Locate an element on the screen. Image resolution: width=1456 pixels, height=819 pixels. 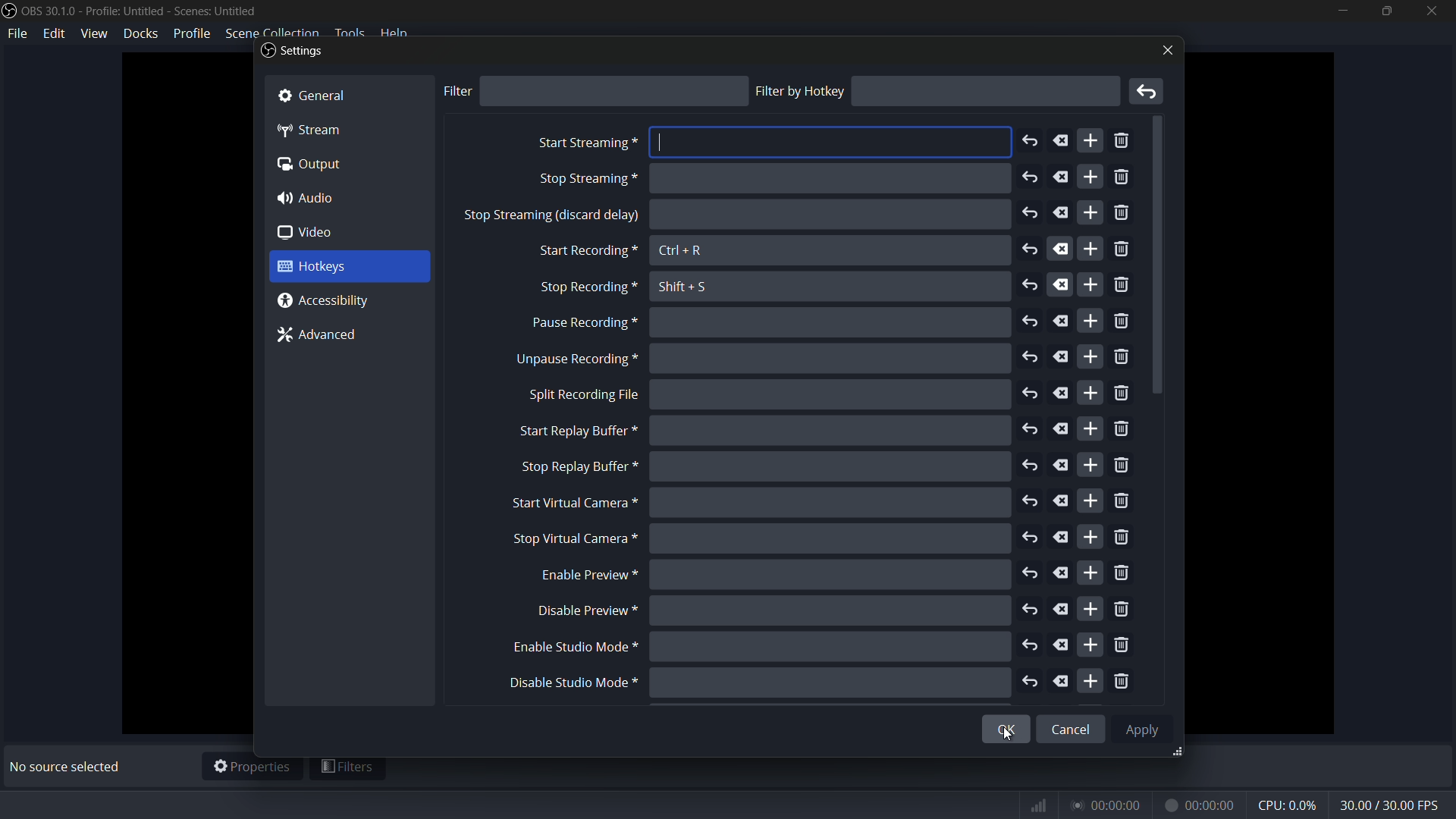
undo is located at coordinates (1031, 575).